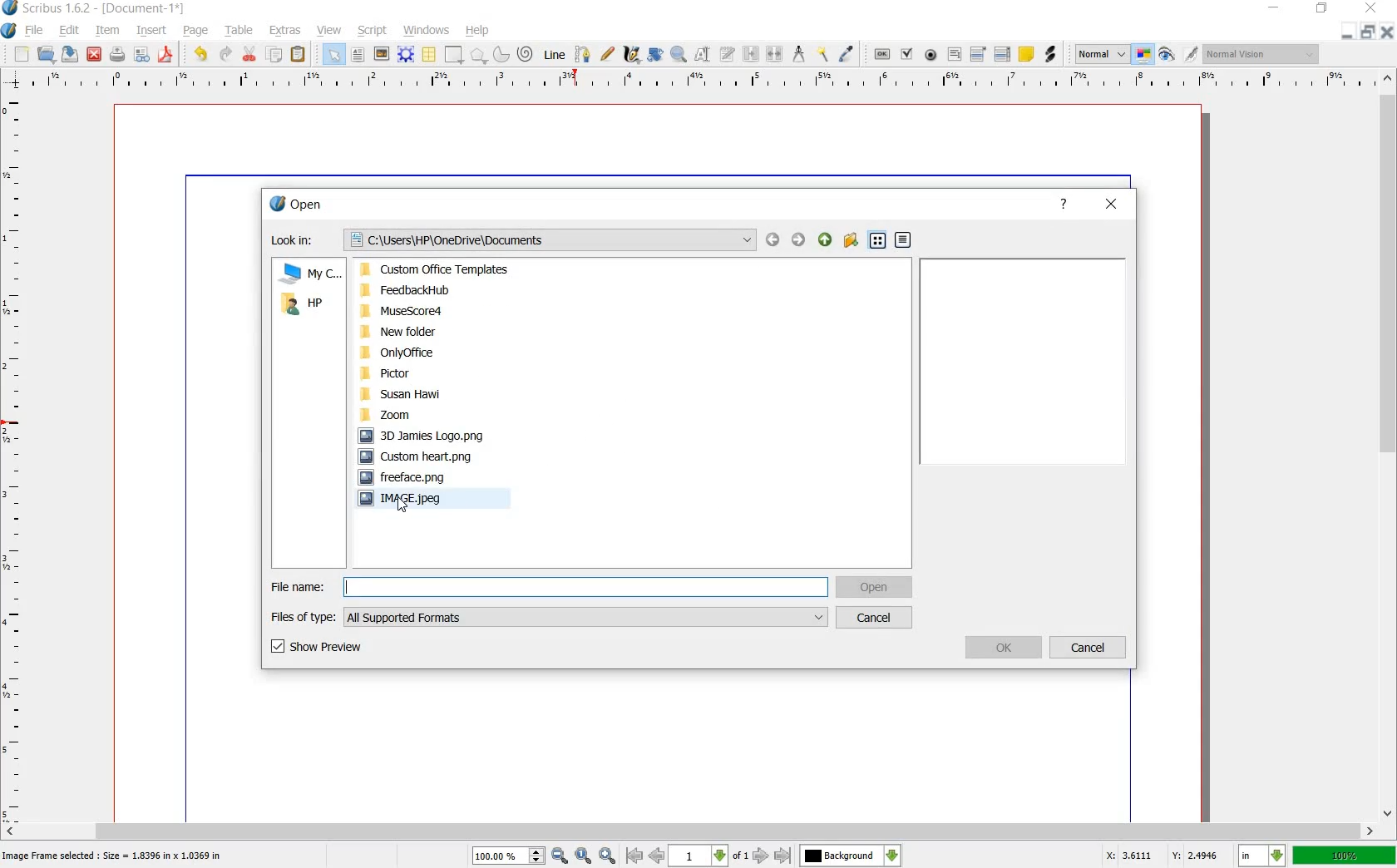 The width and height of the screenshot is (1397, 868). Describe the element at coordinates (904, 240) in the screenshot. I see `DETAIL VIEW` at that location.